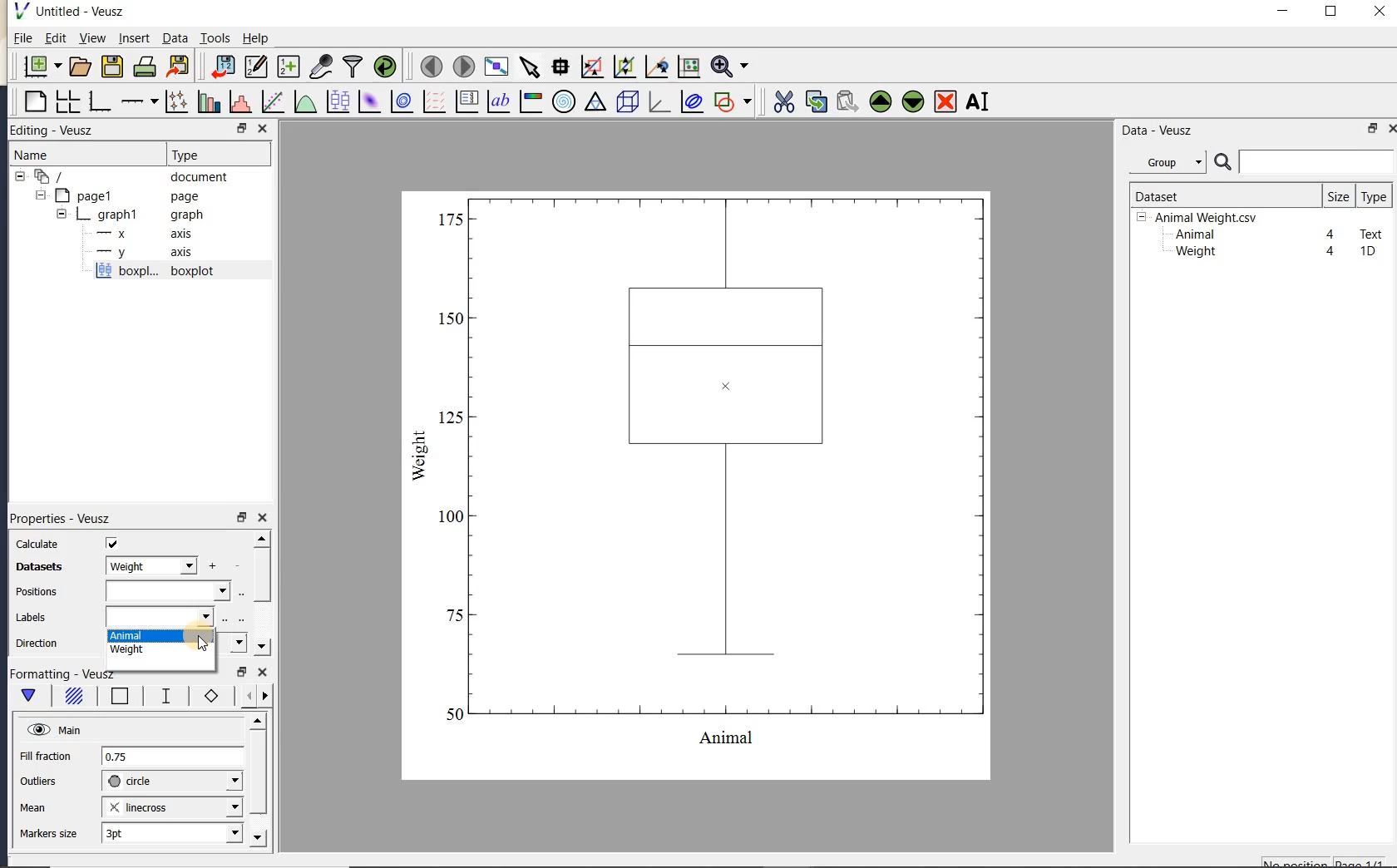  I want to click on Data - Veusz, so click(1172, 163).